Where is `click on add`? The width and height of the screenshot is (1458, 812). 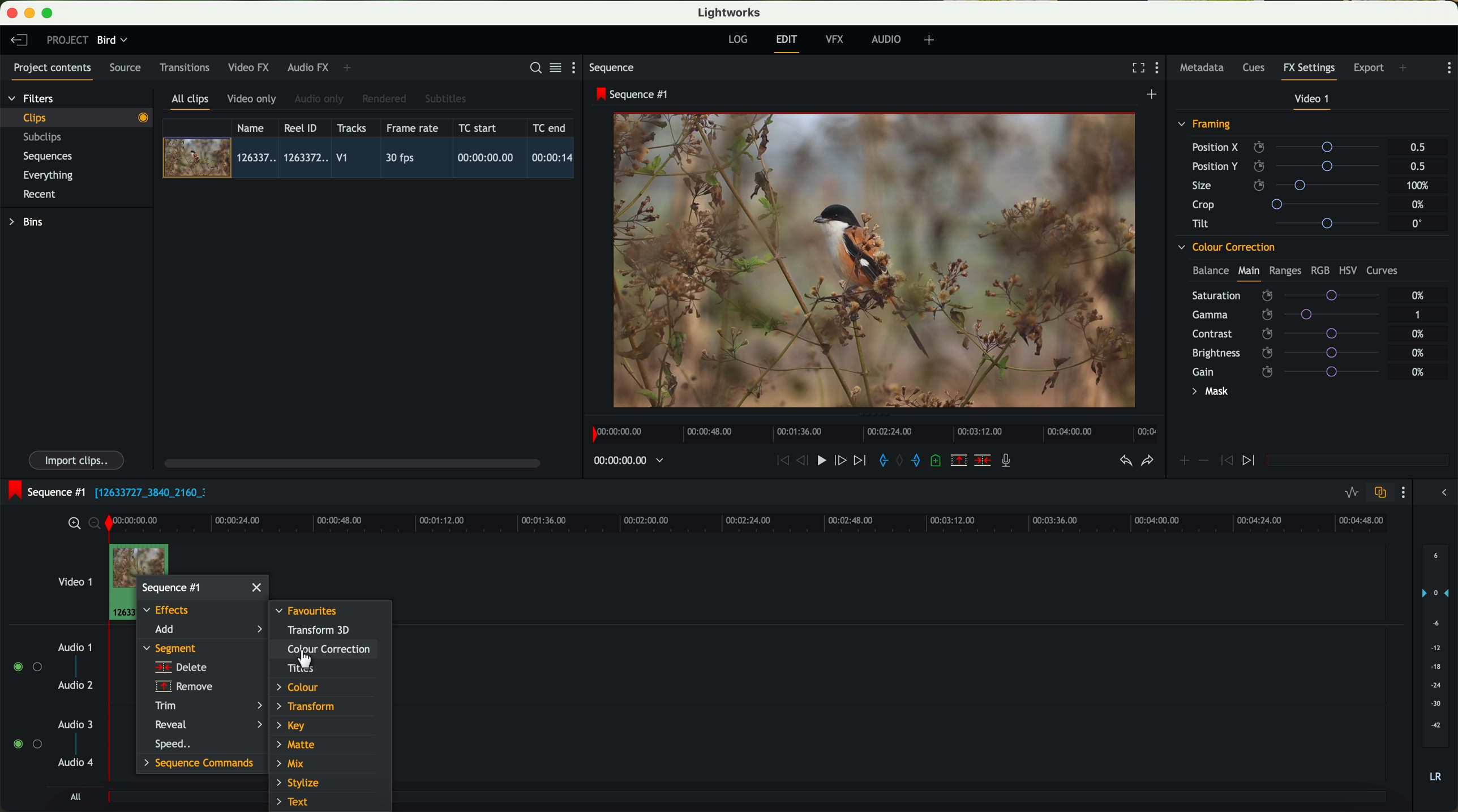
click on add is located at coordinates (209, 631).